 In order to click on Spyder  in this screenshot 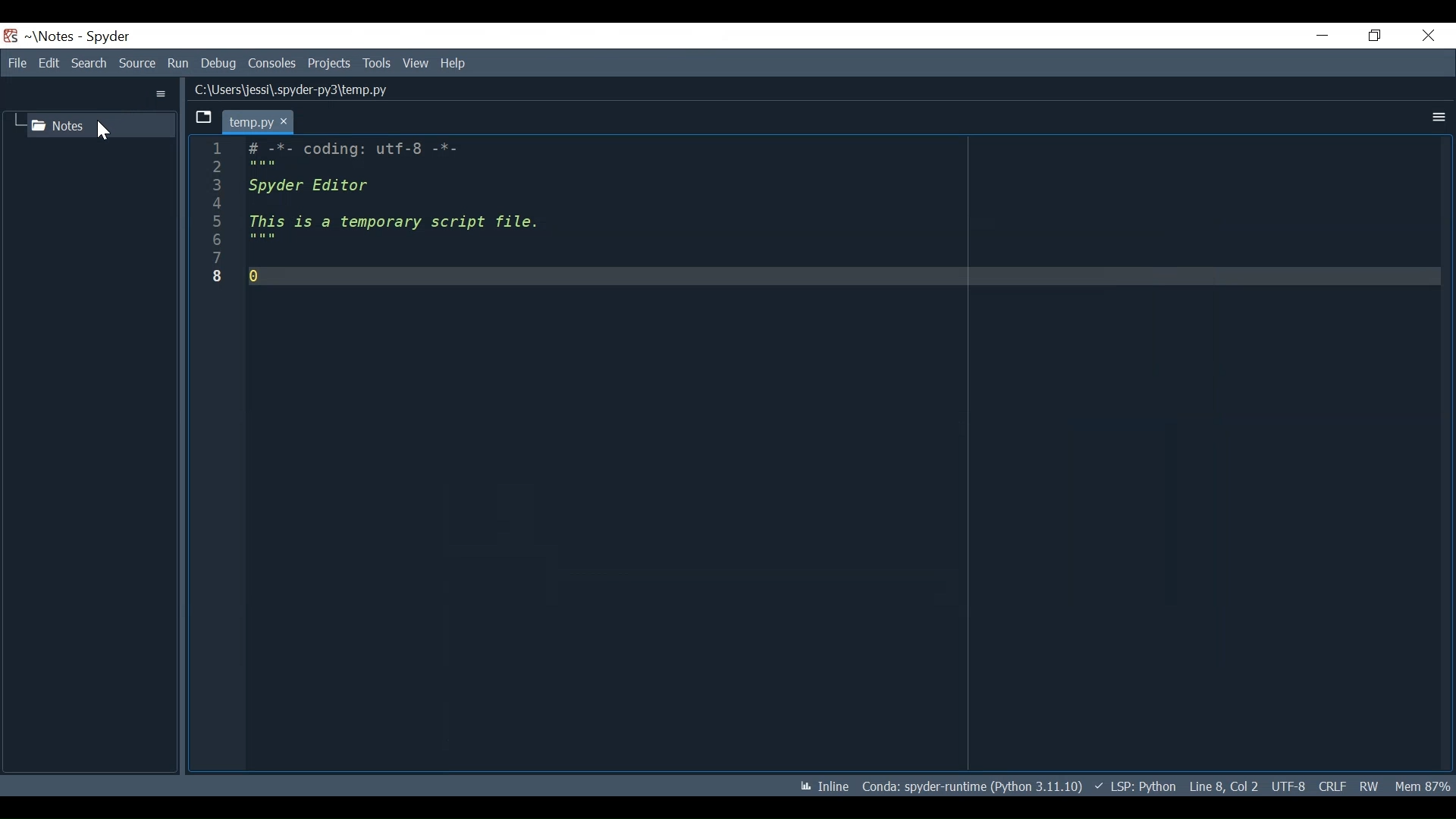, I will do `click(107, 37)`.